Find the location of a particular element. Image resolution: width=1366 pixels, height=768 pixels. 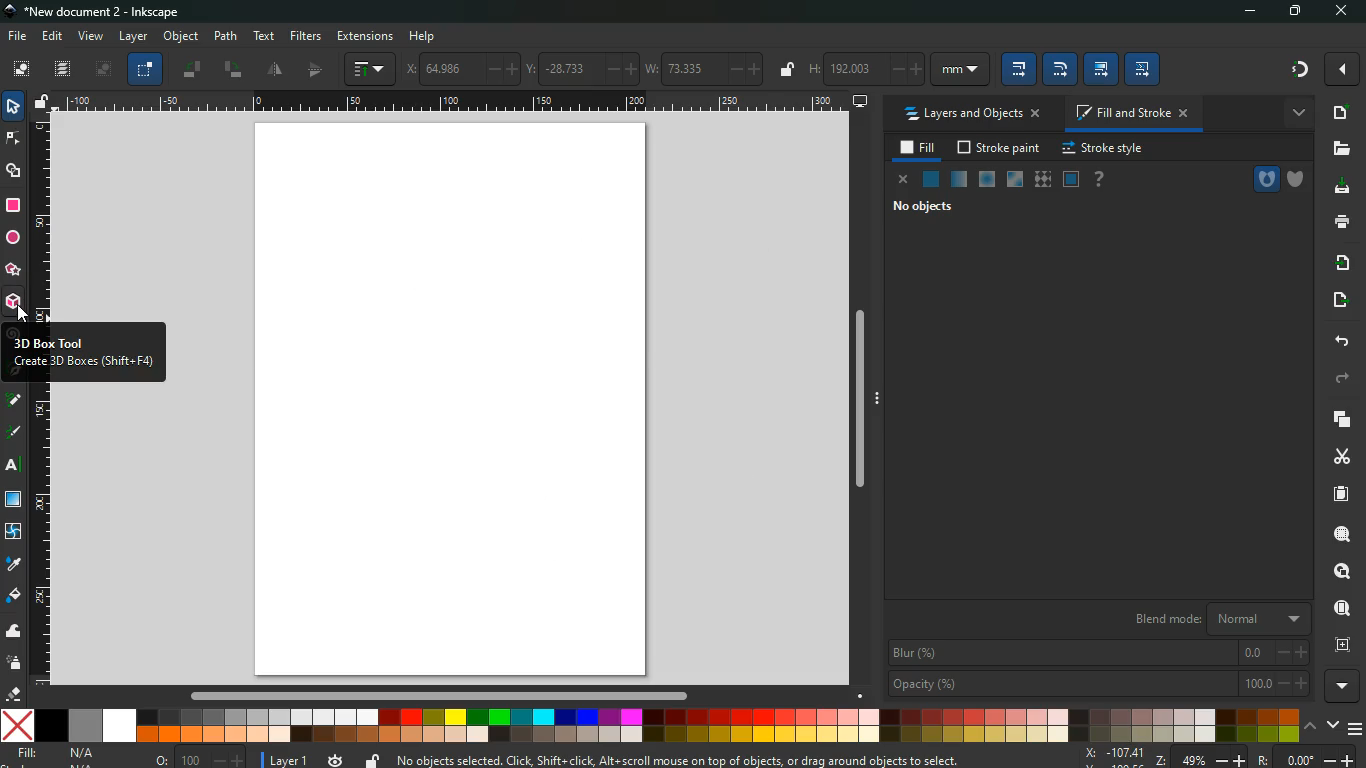

path is located at coordinates (227, 35).